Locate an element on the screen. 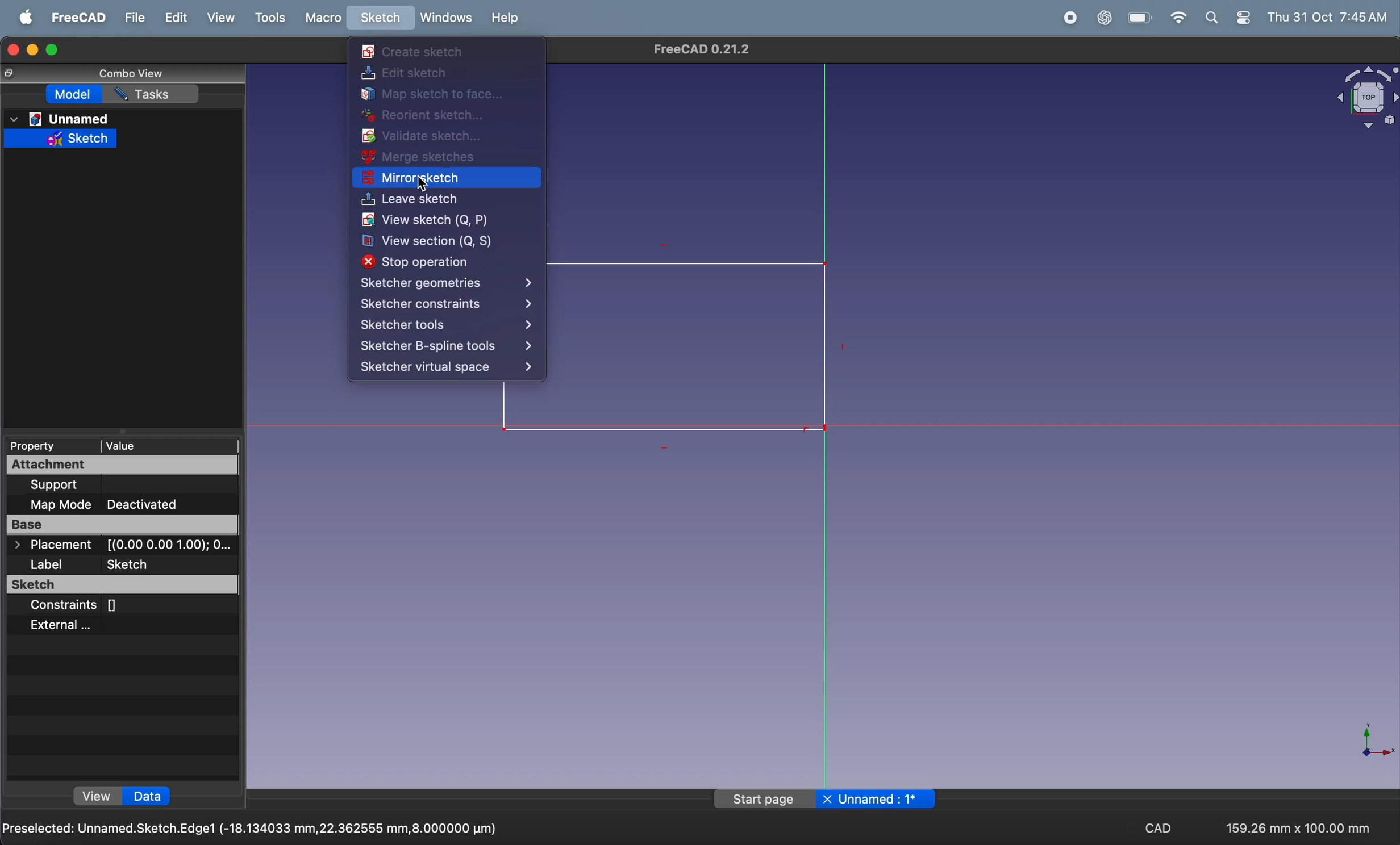 The width and height of the screenshot is (1400, 845). record is located at coordinates (1065, 18).